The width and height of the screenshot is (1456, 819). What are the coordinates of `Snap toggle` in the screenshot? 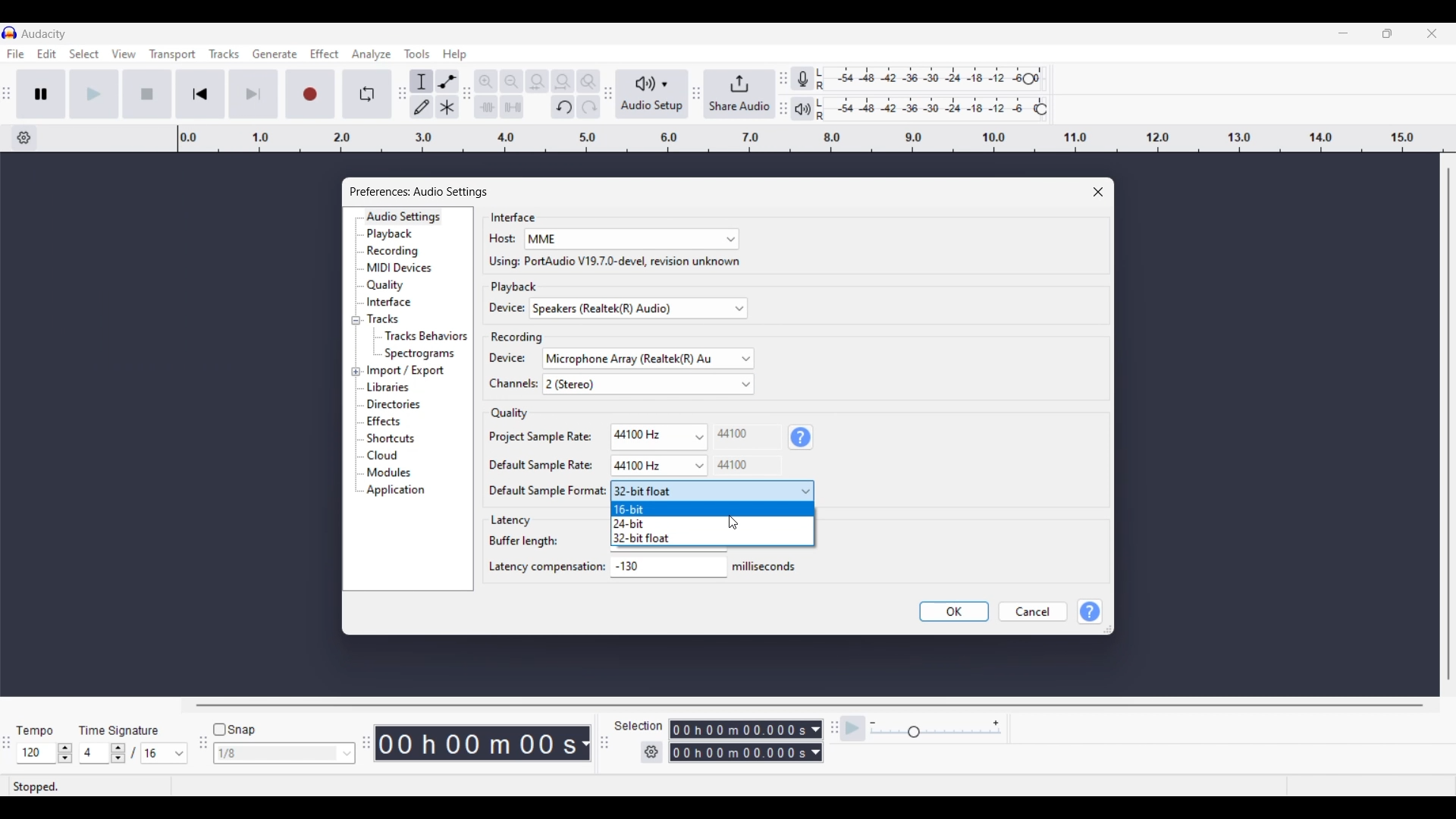 It's located at (235, 730).